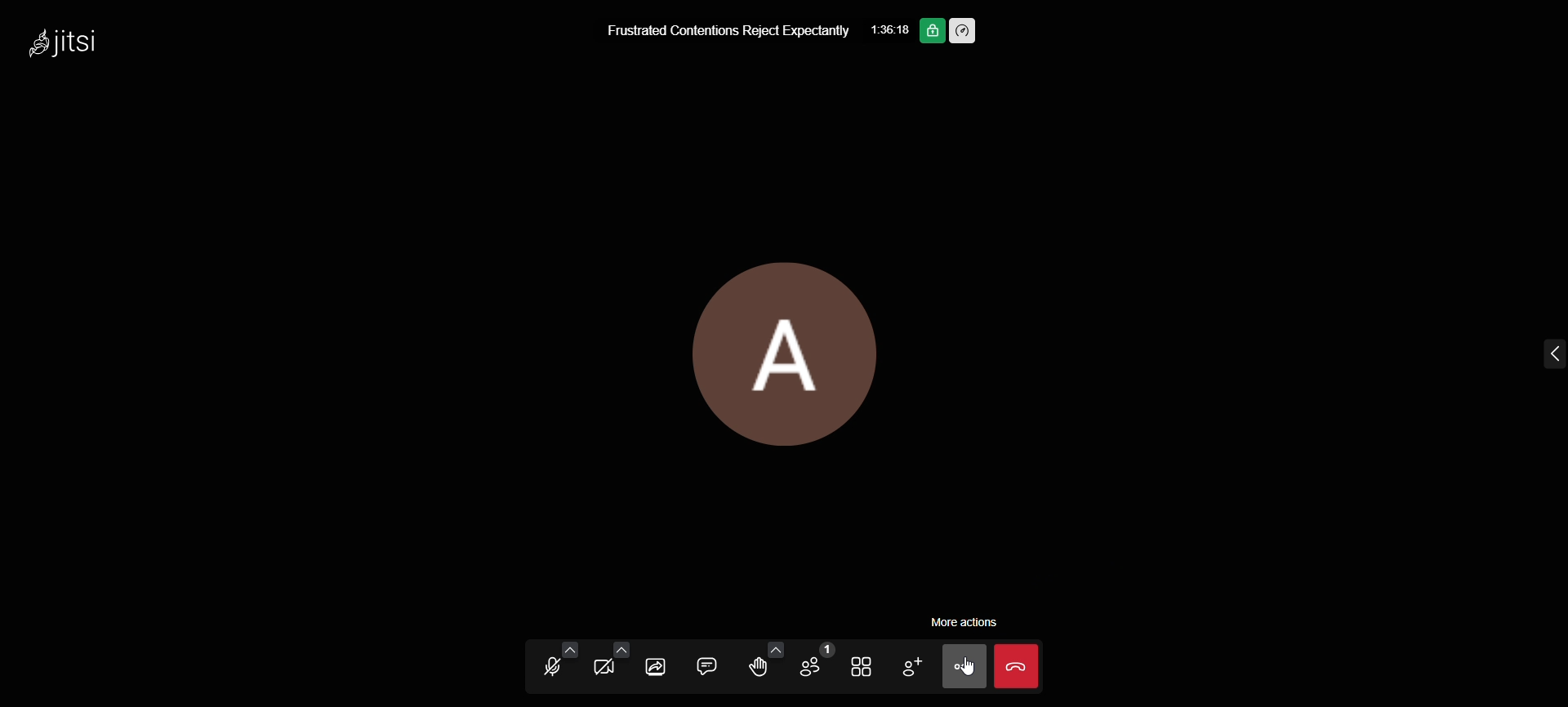 The image size is (1568, 707). I want to click on expand, so click(1521, 361).